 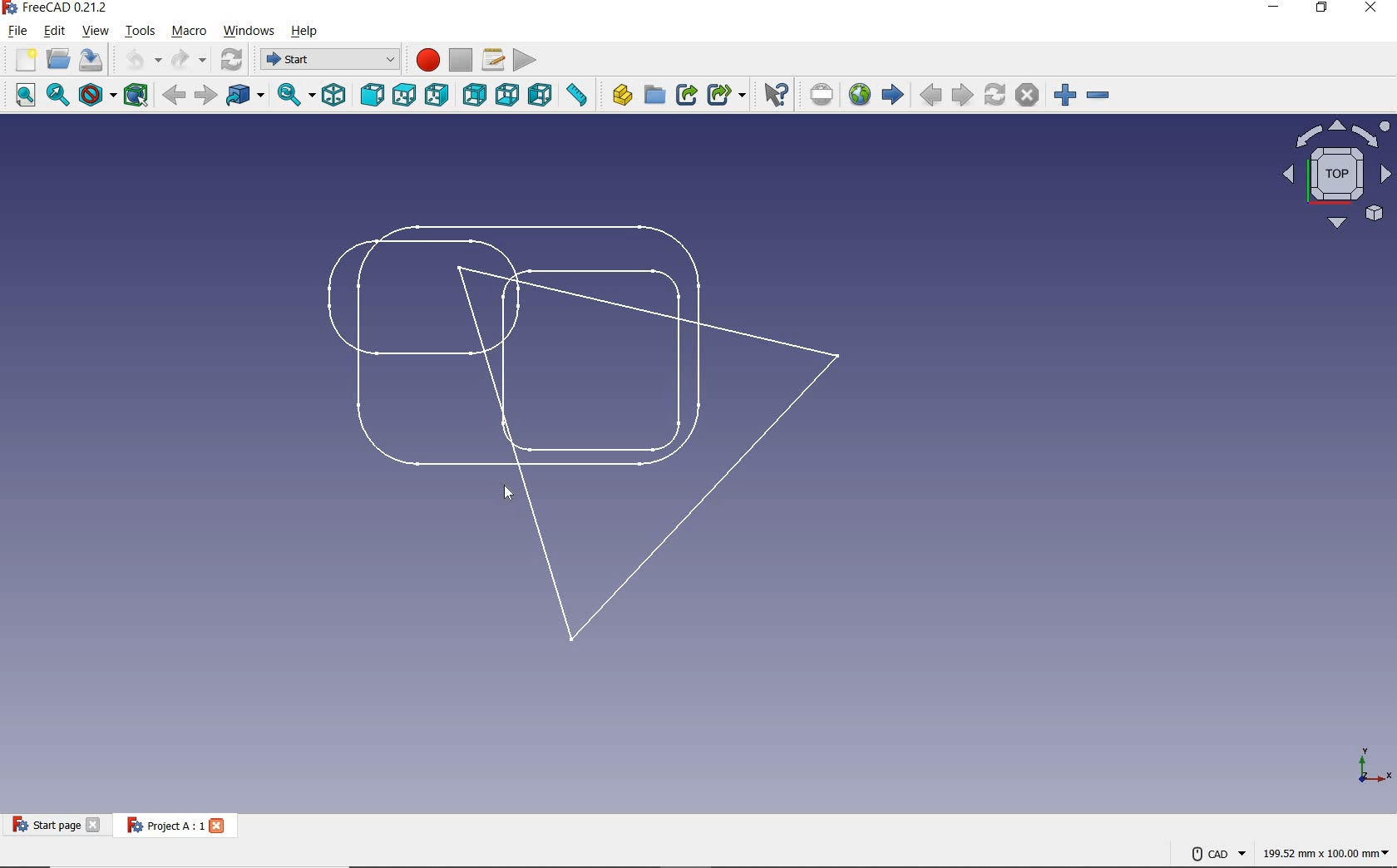 I want to click on BOUNDING BOX, so click(x=132, y=94).